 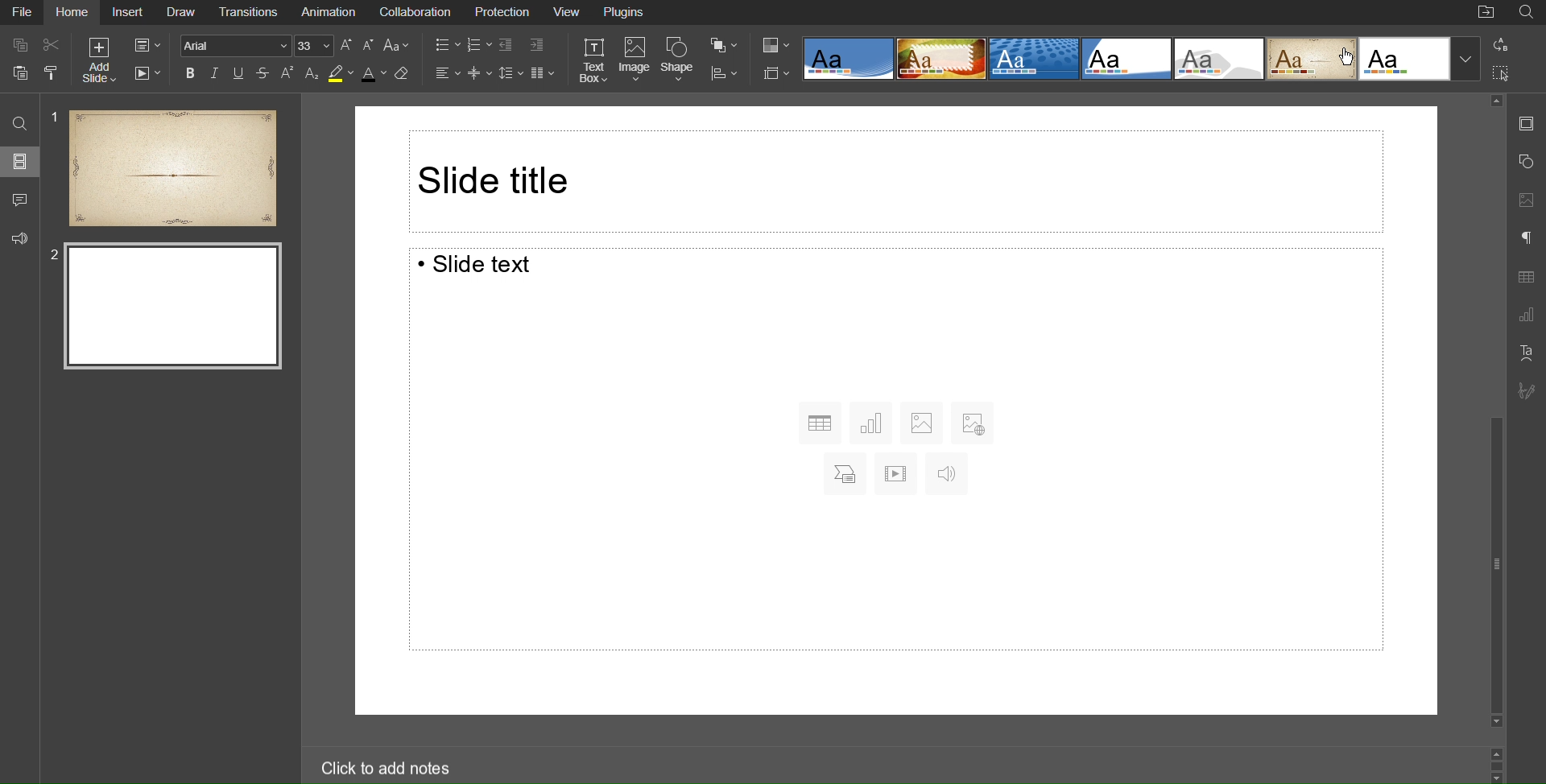 What do you see at coordinates (1486, 14) in the screenshot?
I see `Open File Location` at bounding box center [1486, 14].